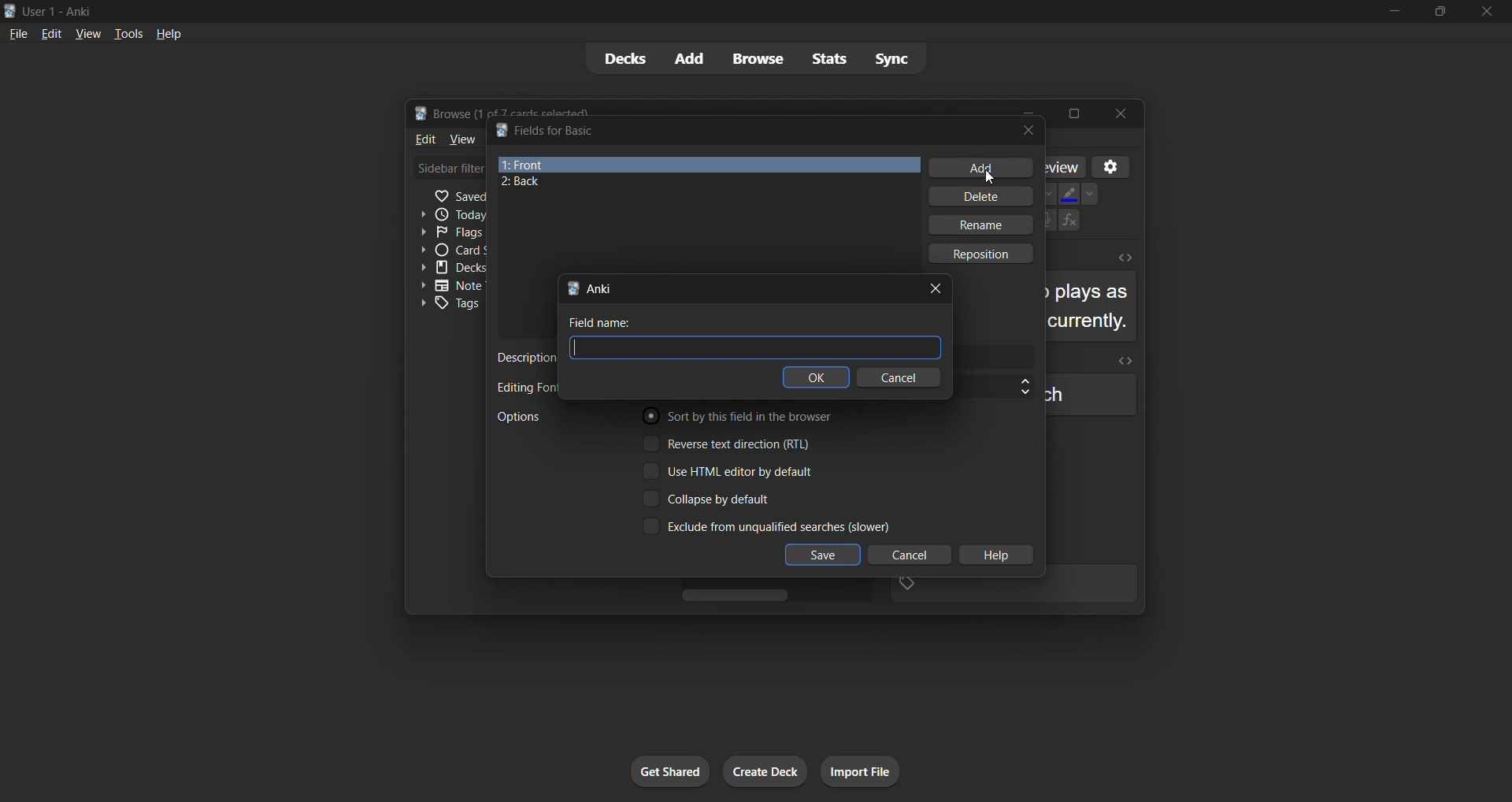  I want to click on cancel, so click(905, 377).